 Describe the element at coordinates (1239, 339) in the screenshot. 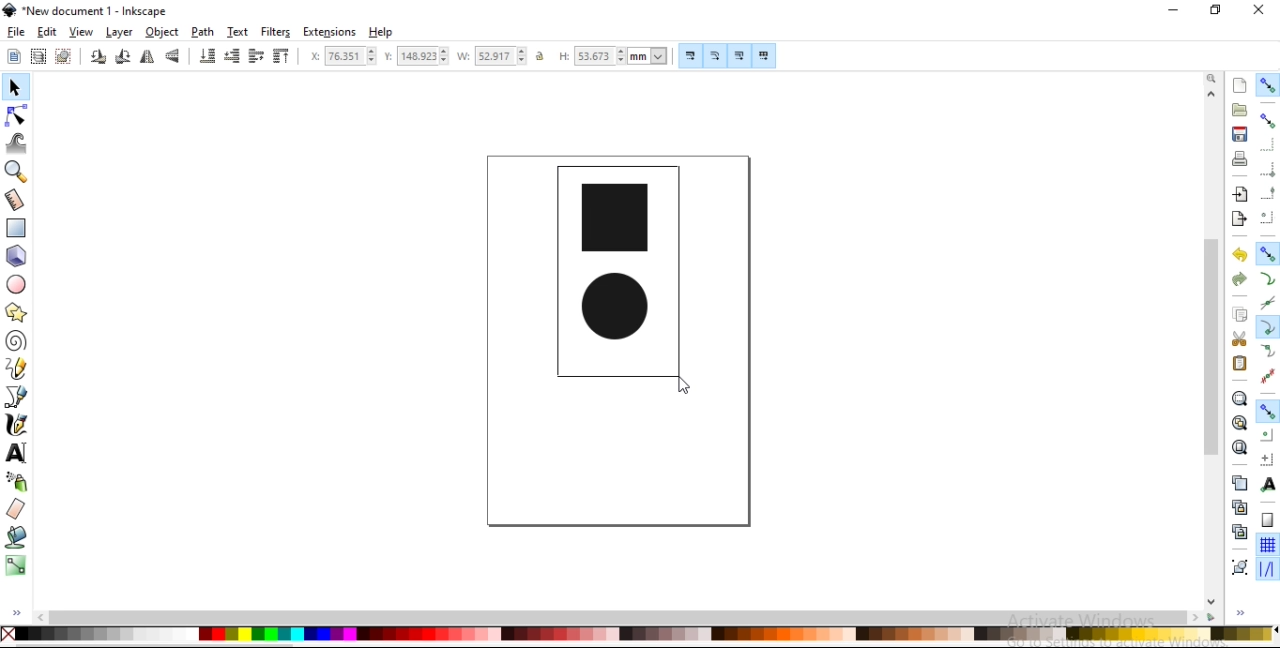

I see `cut` at that location.